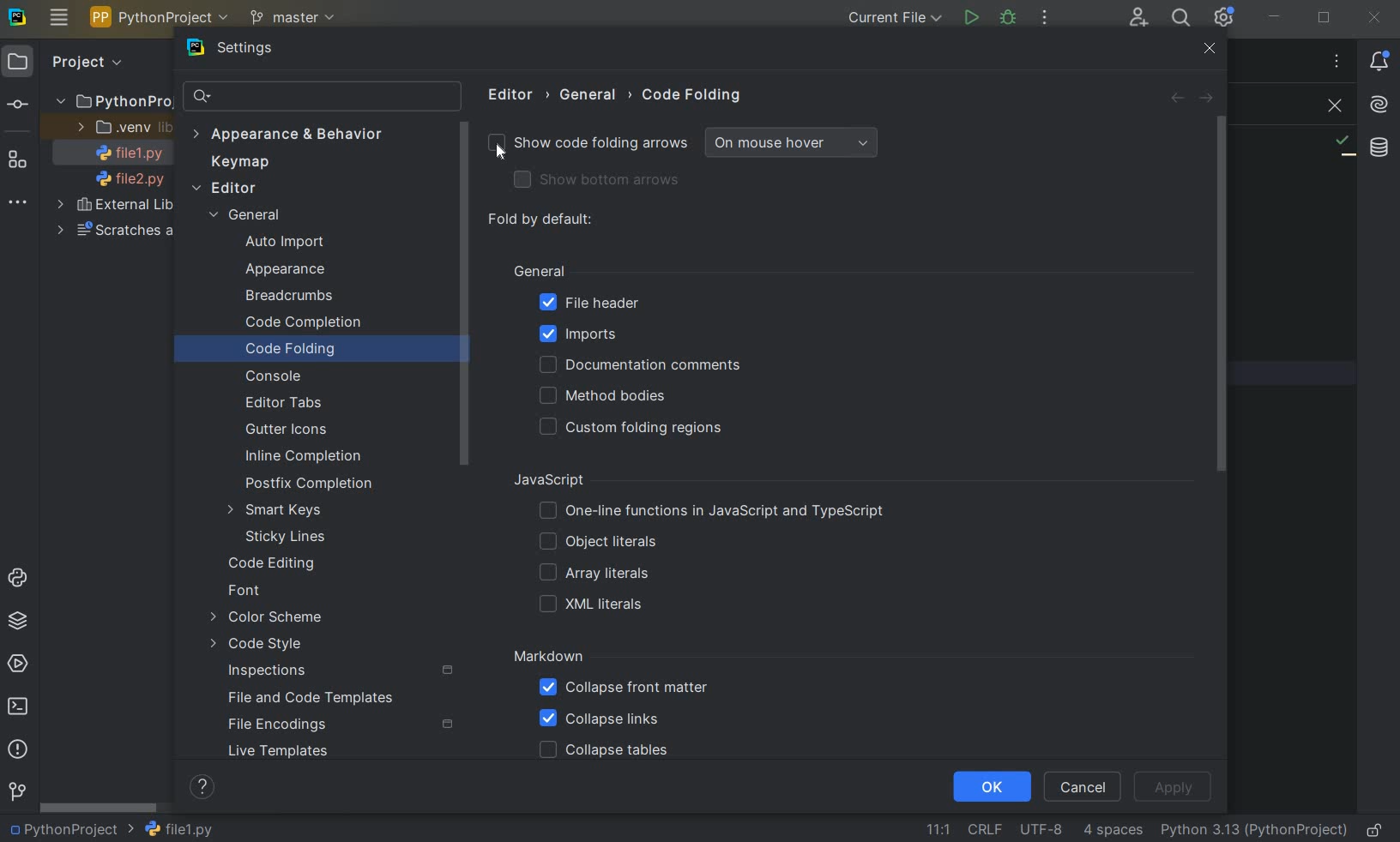 The image size is (1400, 842). What do you see at coordinates (122, 180) in the screenshot?
I see `FILE NAME 2` at bounding box center [122, 180].